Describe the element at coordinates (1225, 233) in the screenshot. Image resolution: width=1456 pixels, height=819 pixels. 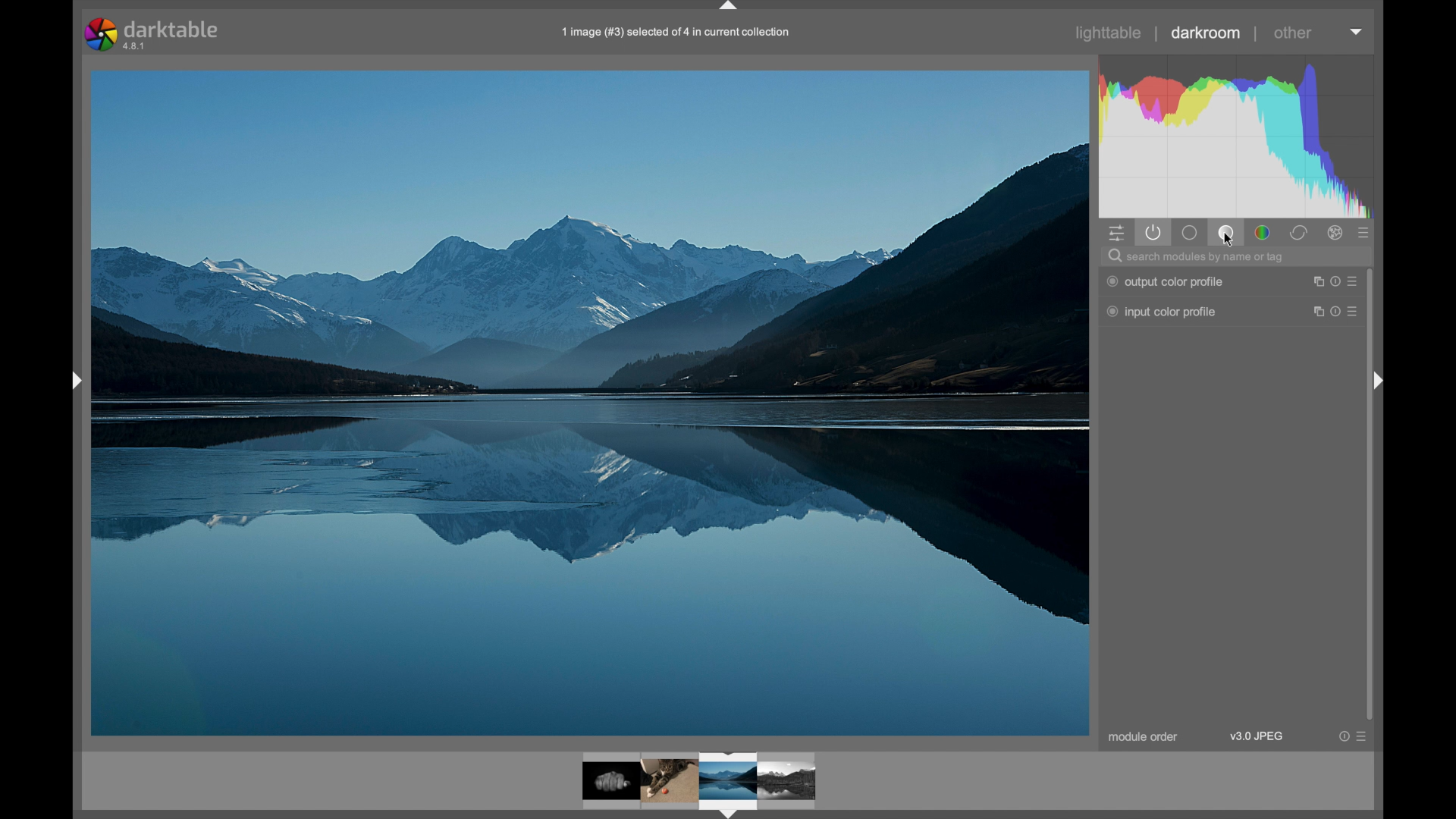
I see `tone` at that location.